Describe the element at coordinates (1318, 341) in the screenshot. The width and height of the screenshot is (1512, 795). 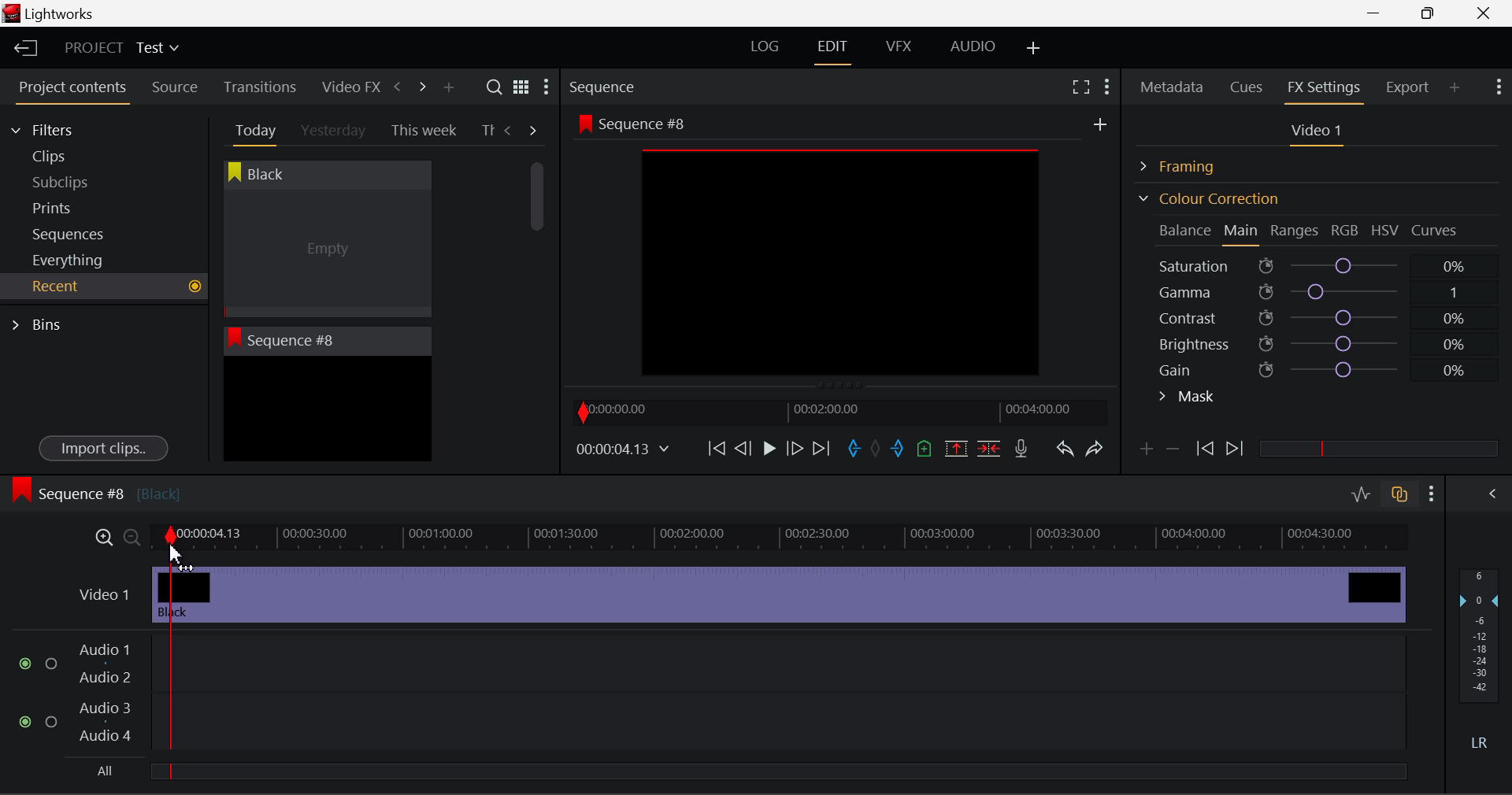
I see `Brightness` at that location.